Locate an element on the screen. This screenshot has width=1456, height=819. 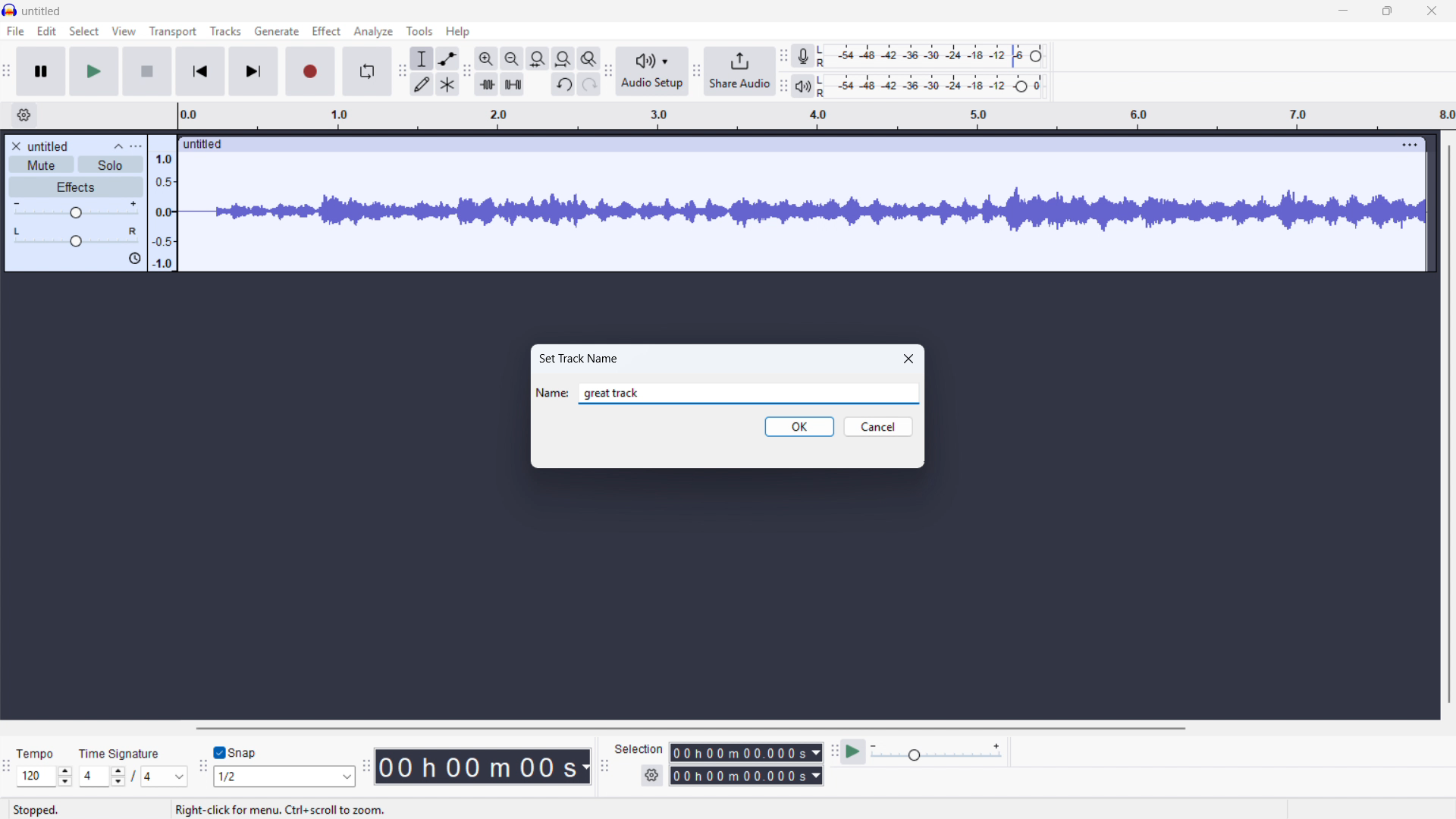
Selection is located at coordinates (640, 749).